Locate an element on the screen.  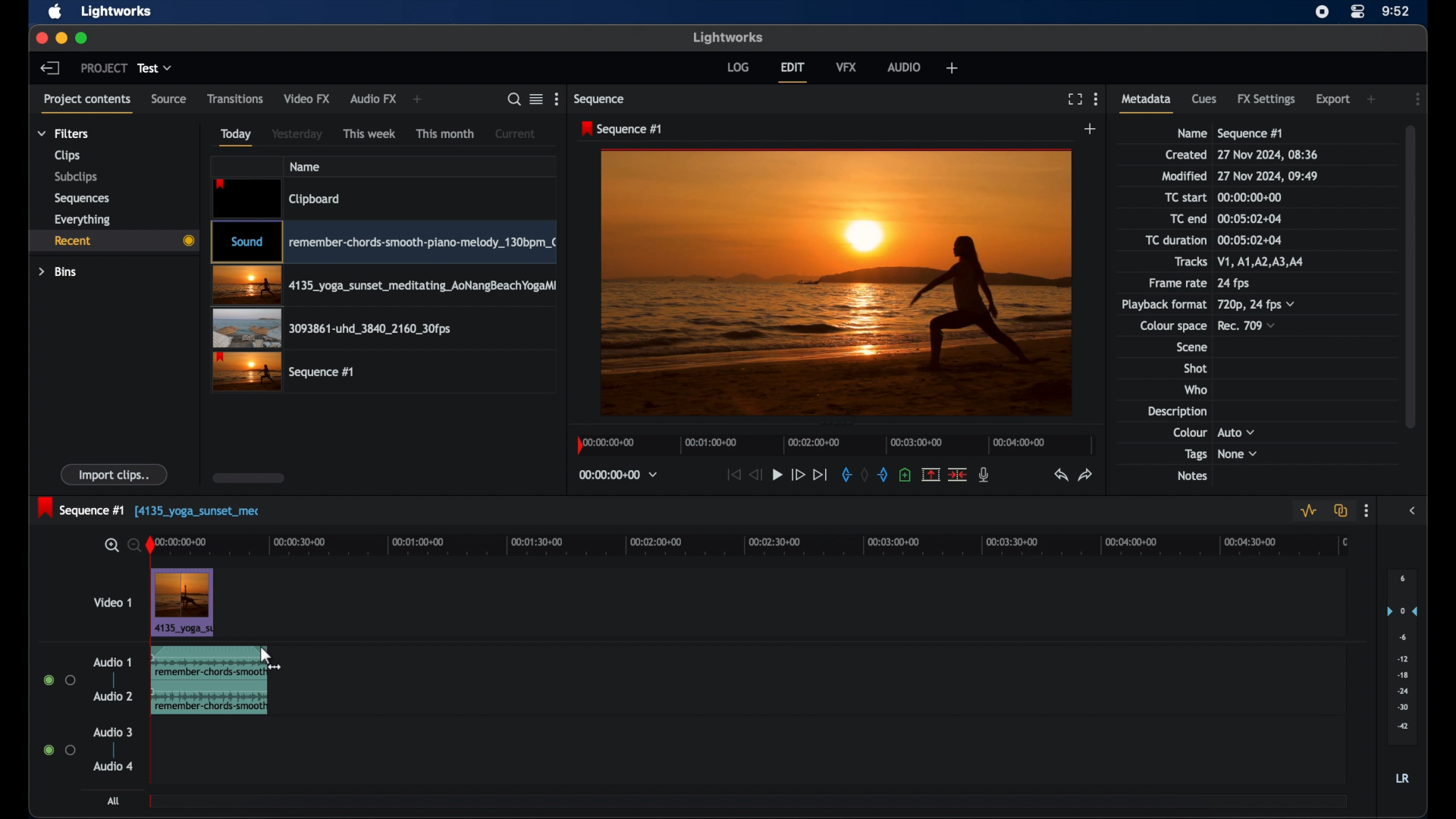
colour is located at coordinates (1189, 431).